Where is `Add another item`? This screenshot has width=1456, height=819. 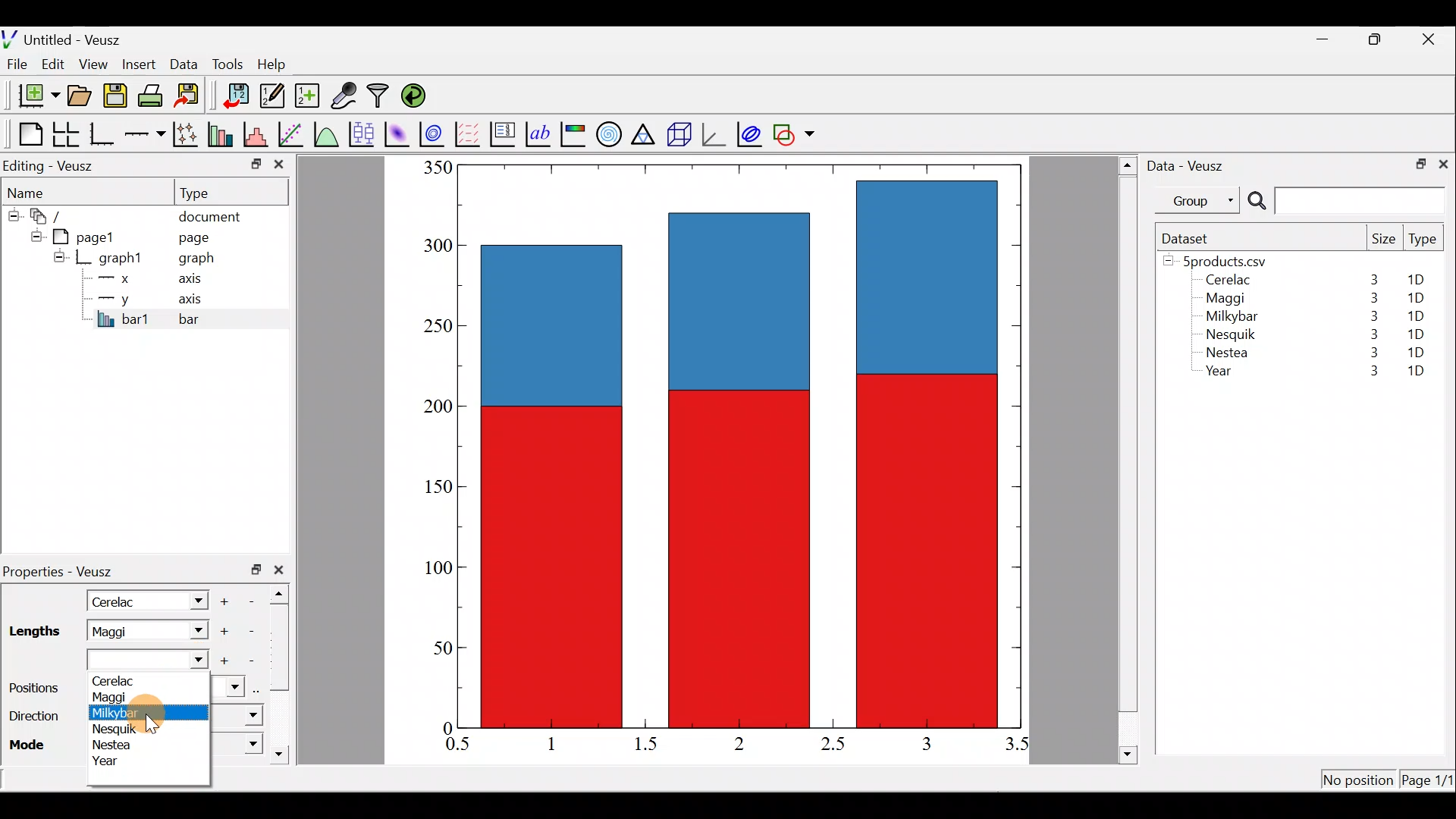 Add another item is located at coordinates (227, 599).